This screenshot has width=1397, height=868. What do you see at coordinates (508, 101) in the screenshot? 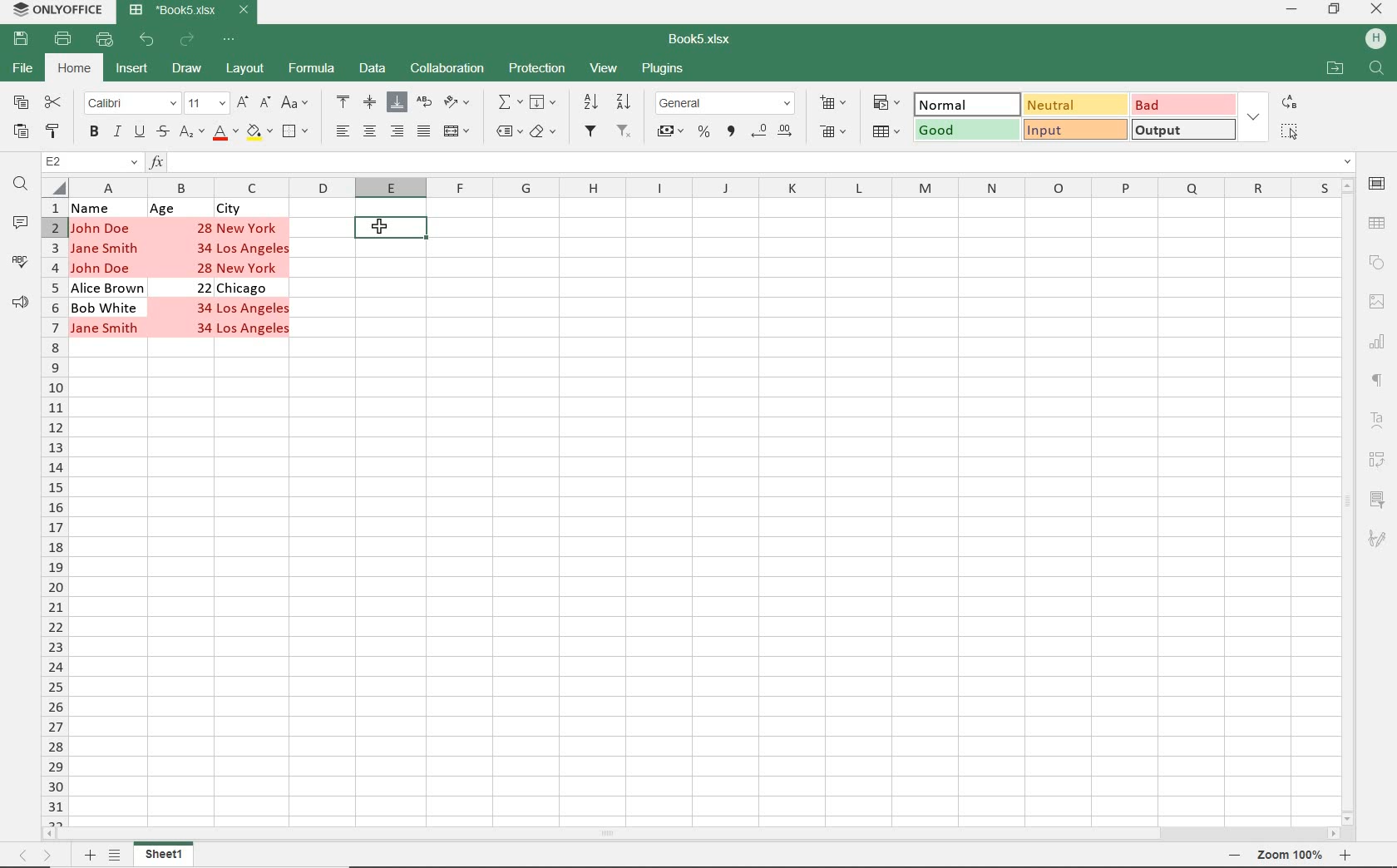
I see `INSERT FUNCTION` at bounding box center [508, 101].